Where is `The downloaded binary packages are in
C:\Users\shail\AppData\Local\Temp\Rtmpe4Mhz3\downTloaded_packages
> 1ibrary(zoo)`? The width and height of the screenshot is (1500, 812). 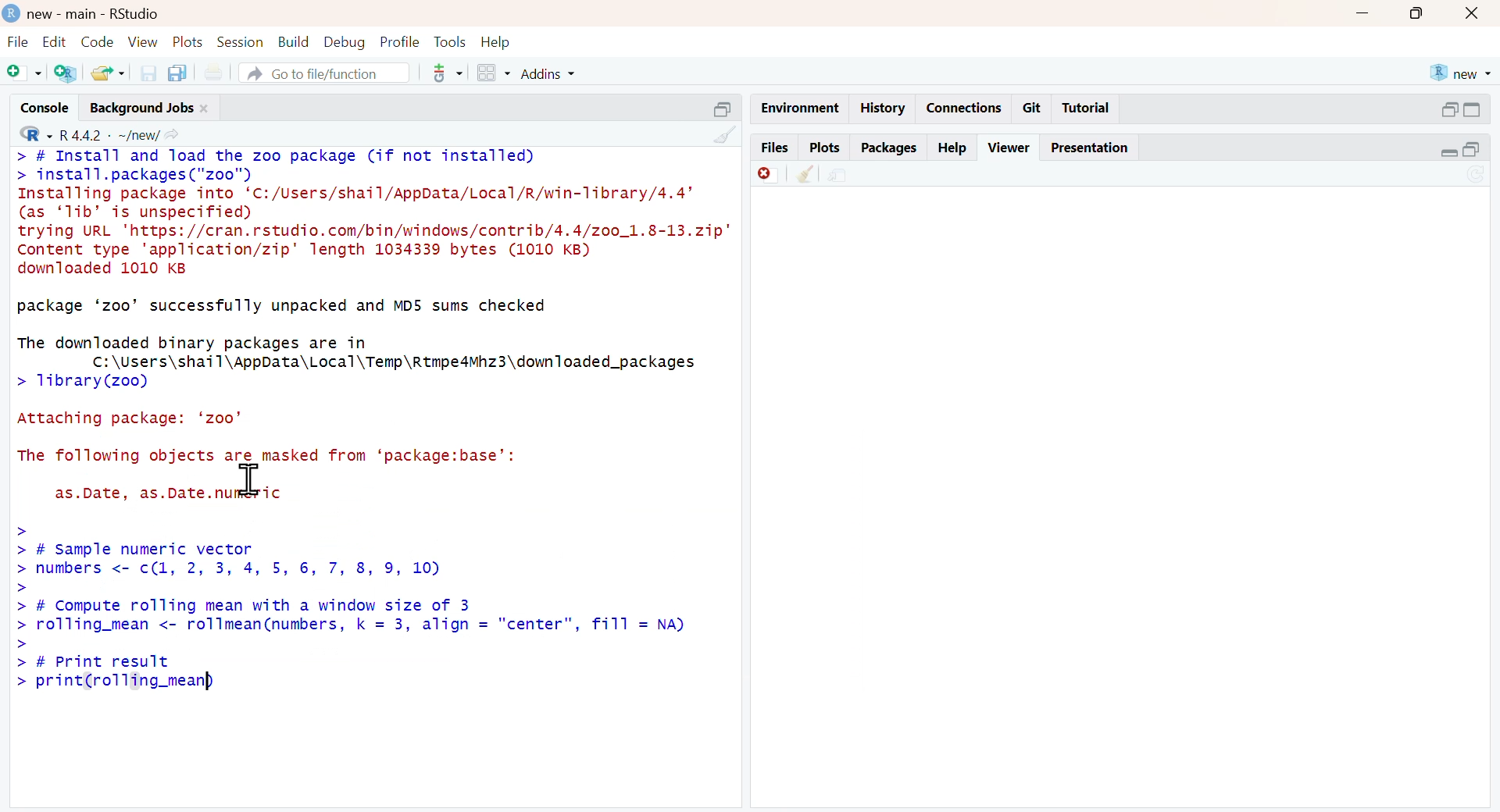 The downloaded binary packages are in
C:\Users\shail\AppData\Local\Temp\Rtmpe4Mhz3\downTloaded_packages
> 1ibrary(zoo) is located at coordinates (359, 364).